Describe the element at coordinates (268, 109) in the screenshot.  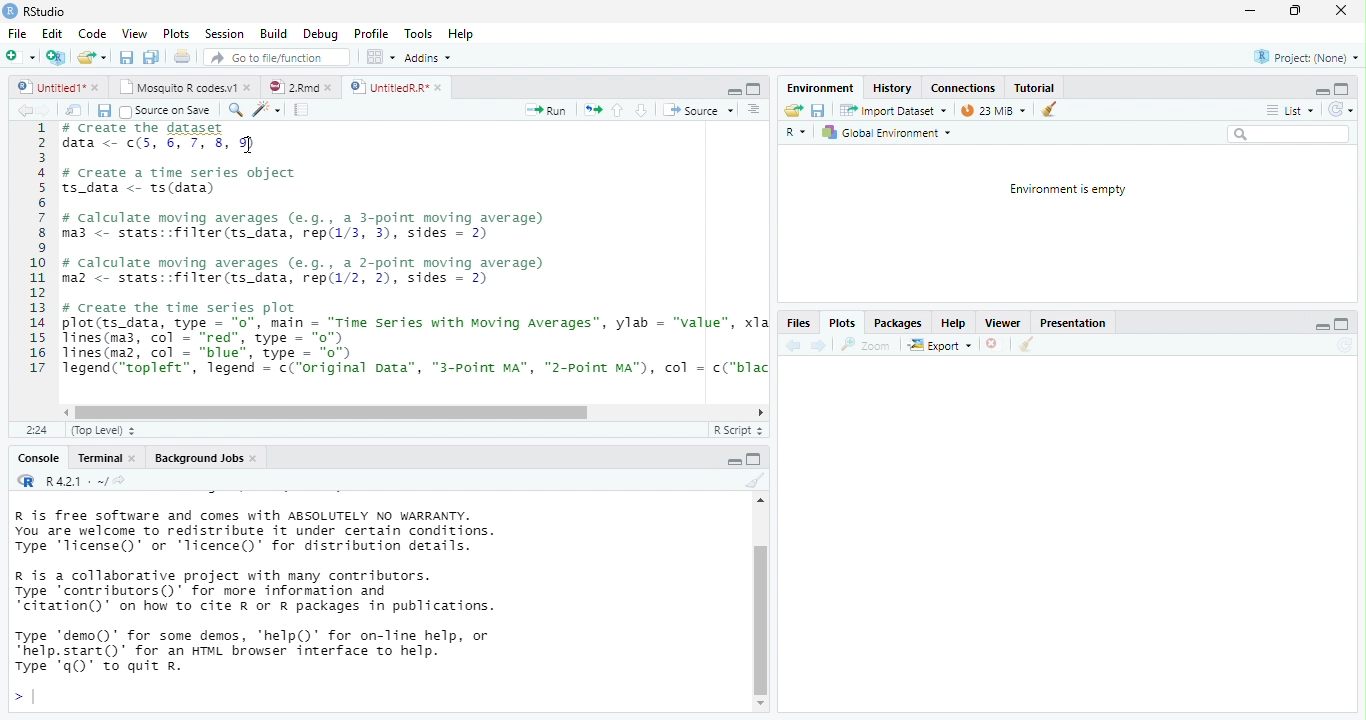
I see `code tool` at that location.